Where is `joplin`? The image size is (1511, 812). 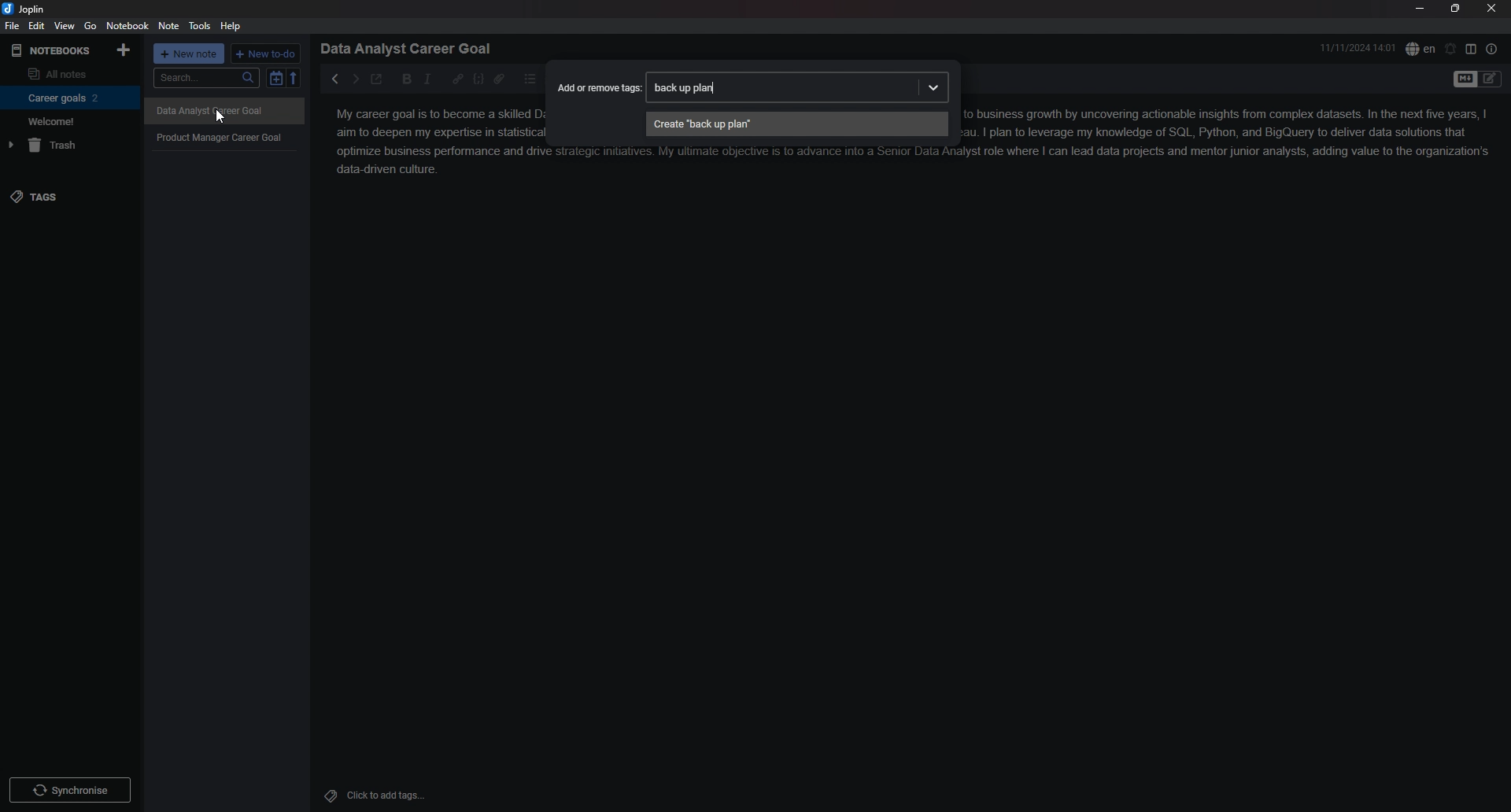
joplin is located at coordinates (25, 9).